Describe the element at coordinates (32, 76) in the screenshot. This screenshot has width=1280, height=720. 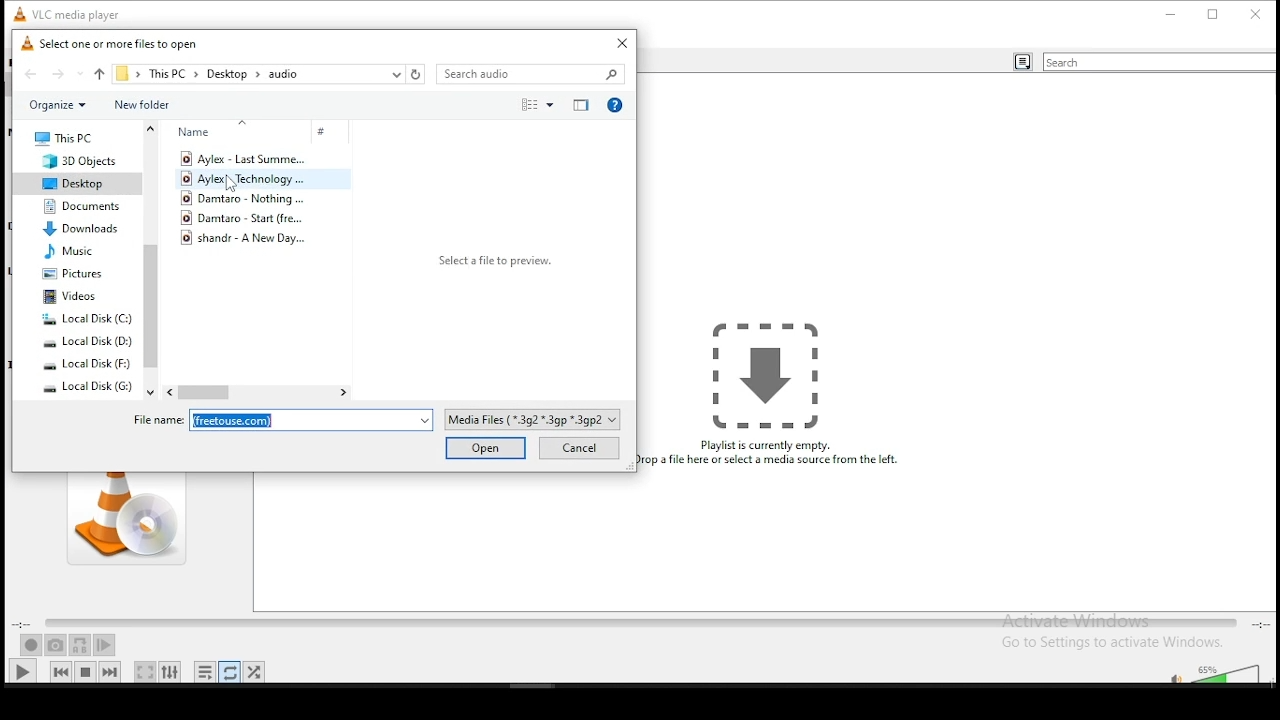
I see `back` at that location.